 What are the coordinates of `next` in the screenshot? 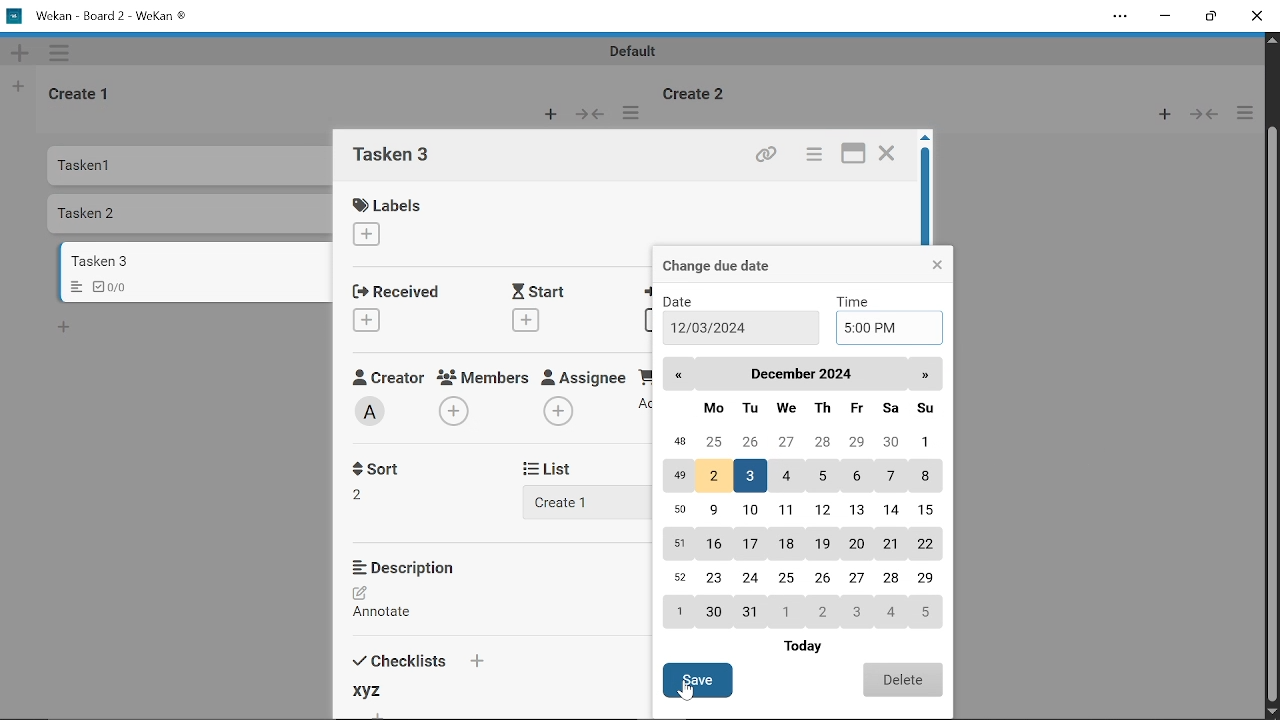 It's located at (927, 374).